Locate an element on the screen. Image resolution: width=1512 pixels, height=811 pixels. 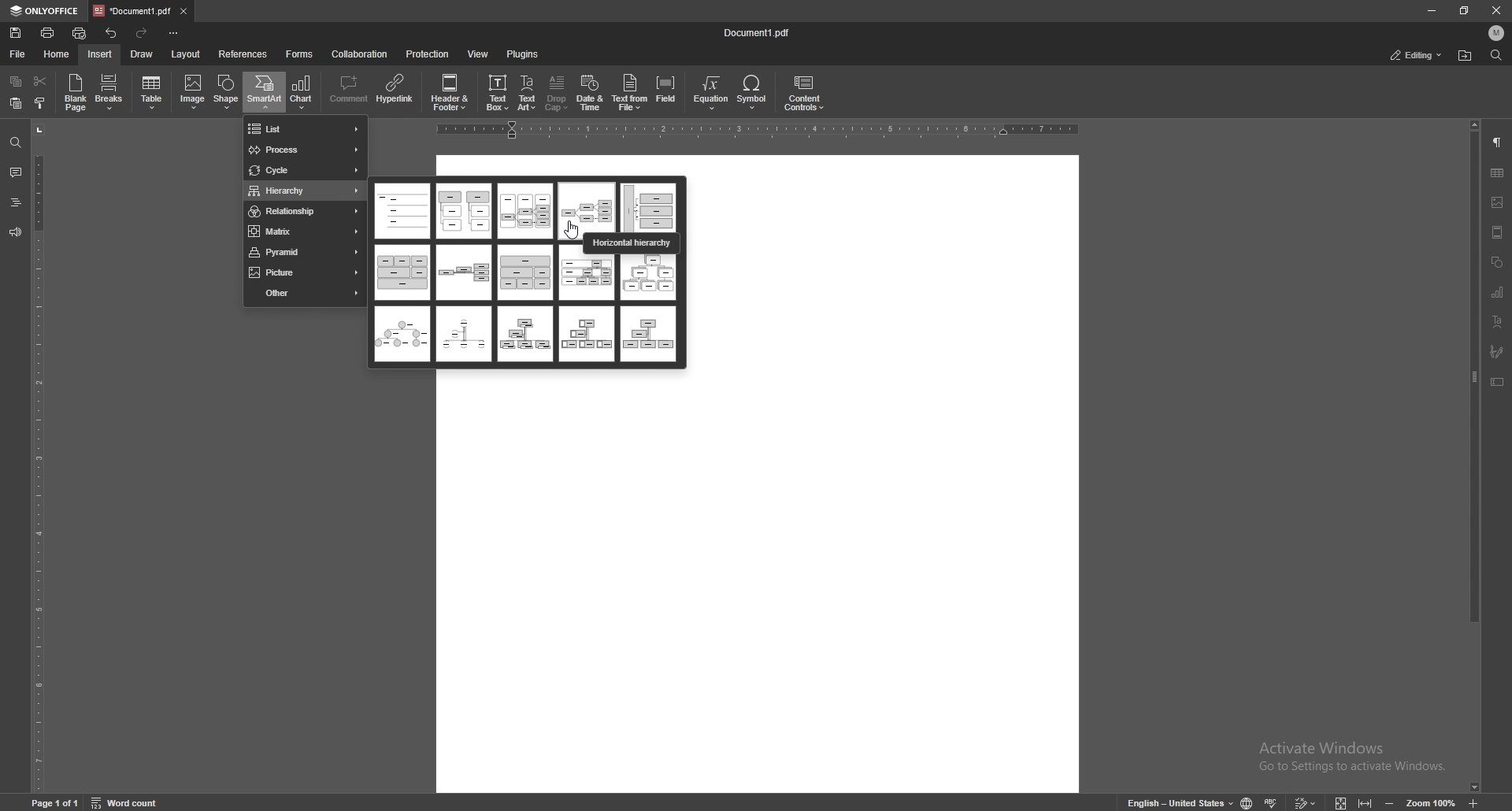
hierarchy smart art is located at coordinates (464, 212).